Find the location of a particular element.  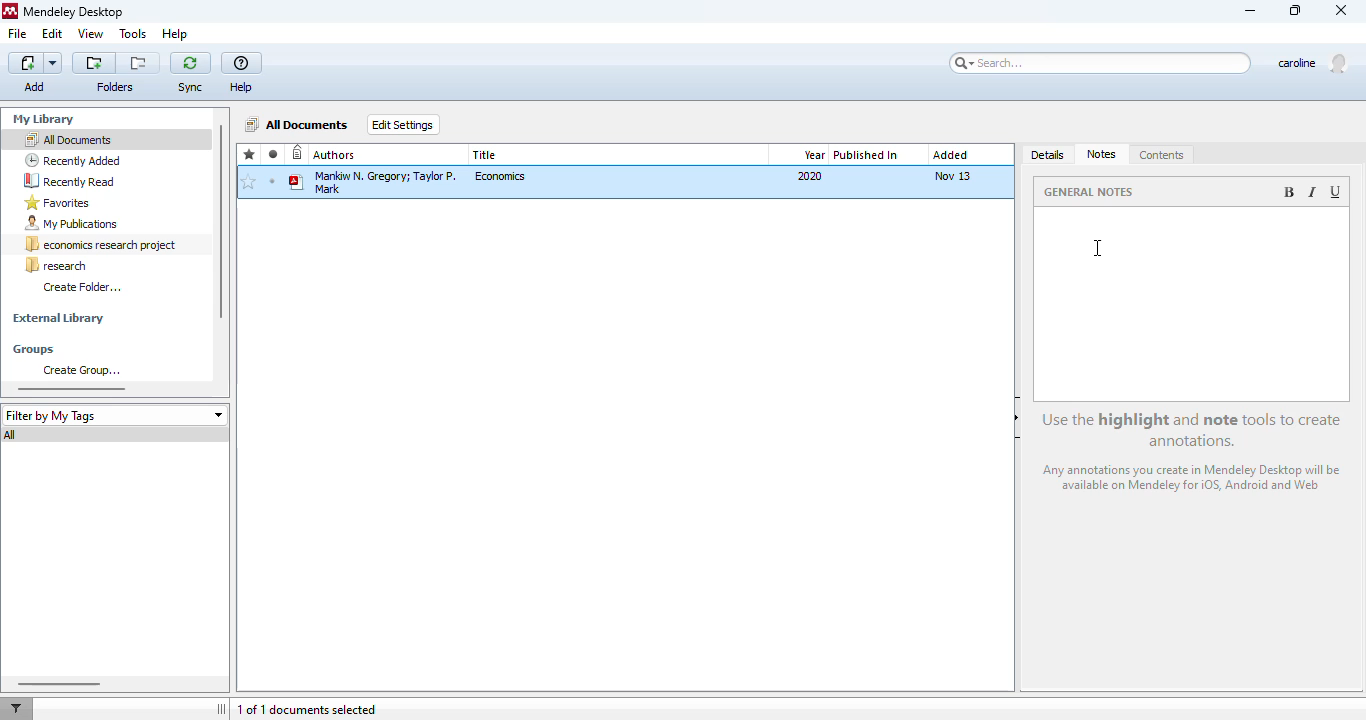

create group is located at coordinates (81, 370).